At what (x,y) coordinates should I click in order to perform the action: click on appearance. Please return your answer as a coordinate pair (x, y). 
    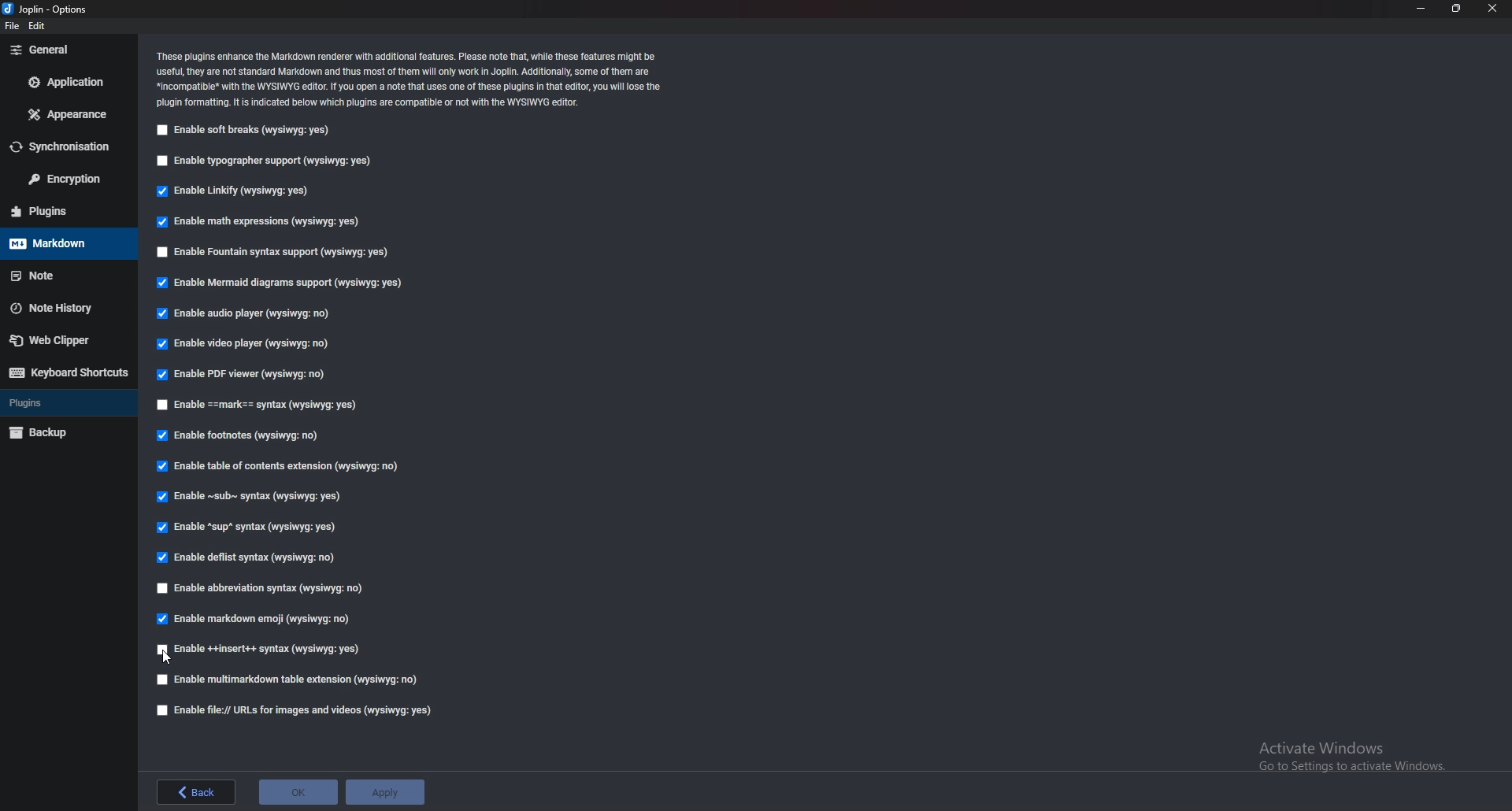
    Looking at the image, I should click on (65, 116).